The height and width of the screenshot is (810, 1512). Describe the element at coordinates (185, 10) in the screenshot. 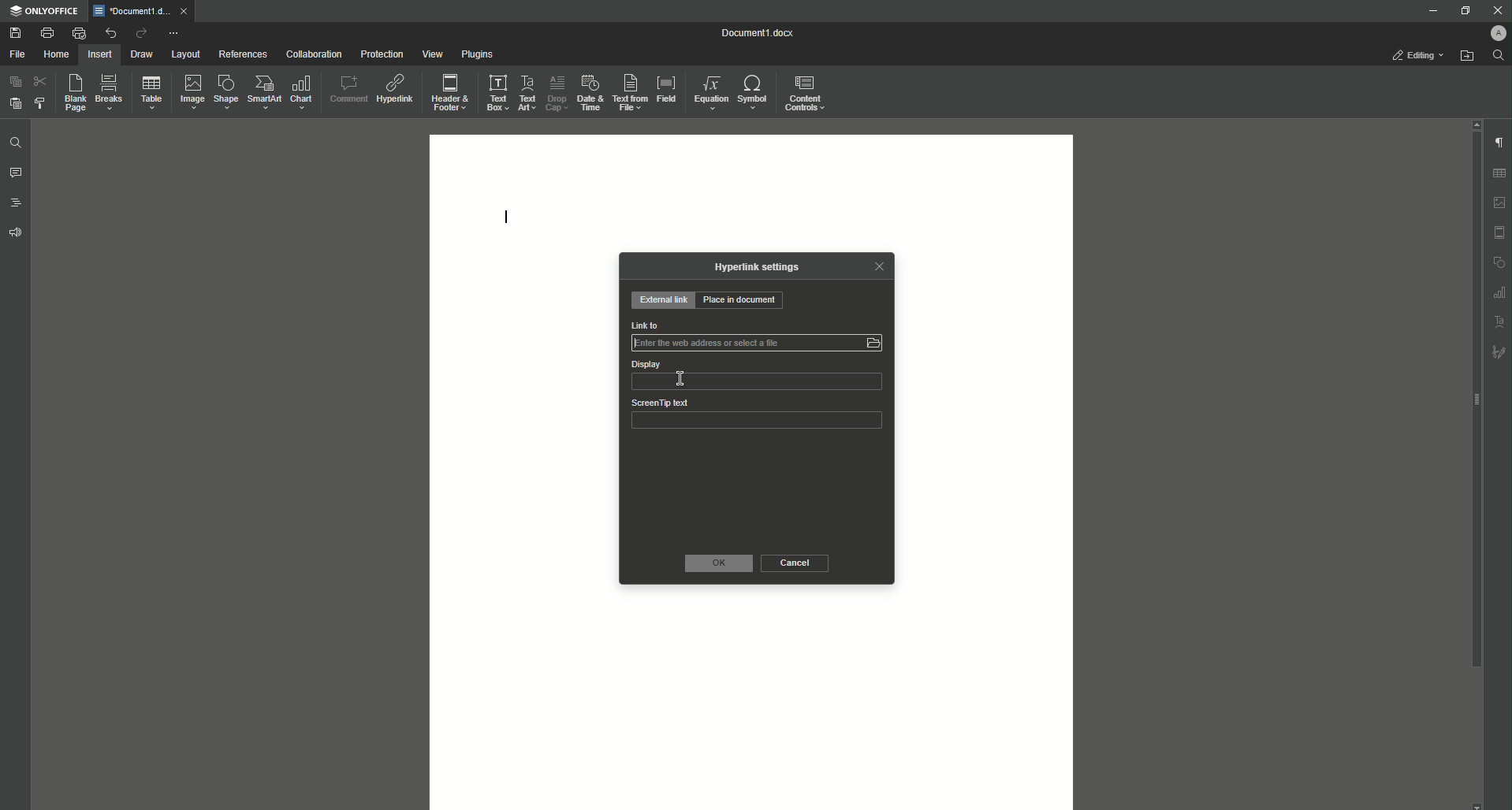

I see `close` at that location.